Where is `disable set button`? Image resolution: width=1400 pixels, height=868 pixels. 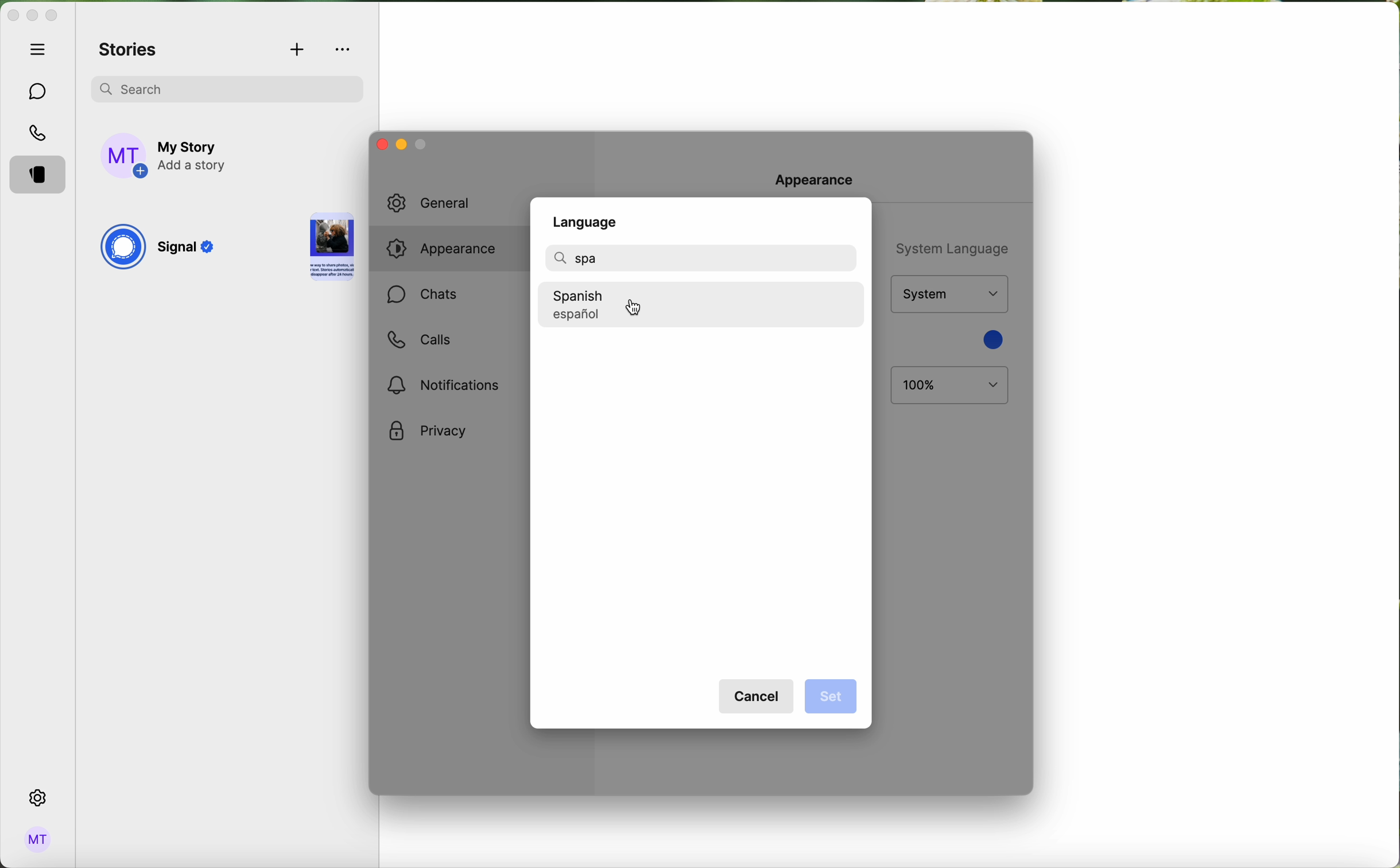 disable set button is located at coordinates (829, 695).